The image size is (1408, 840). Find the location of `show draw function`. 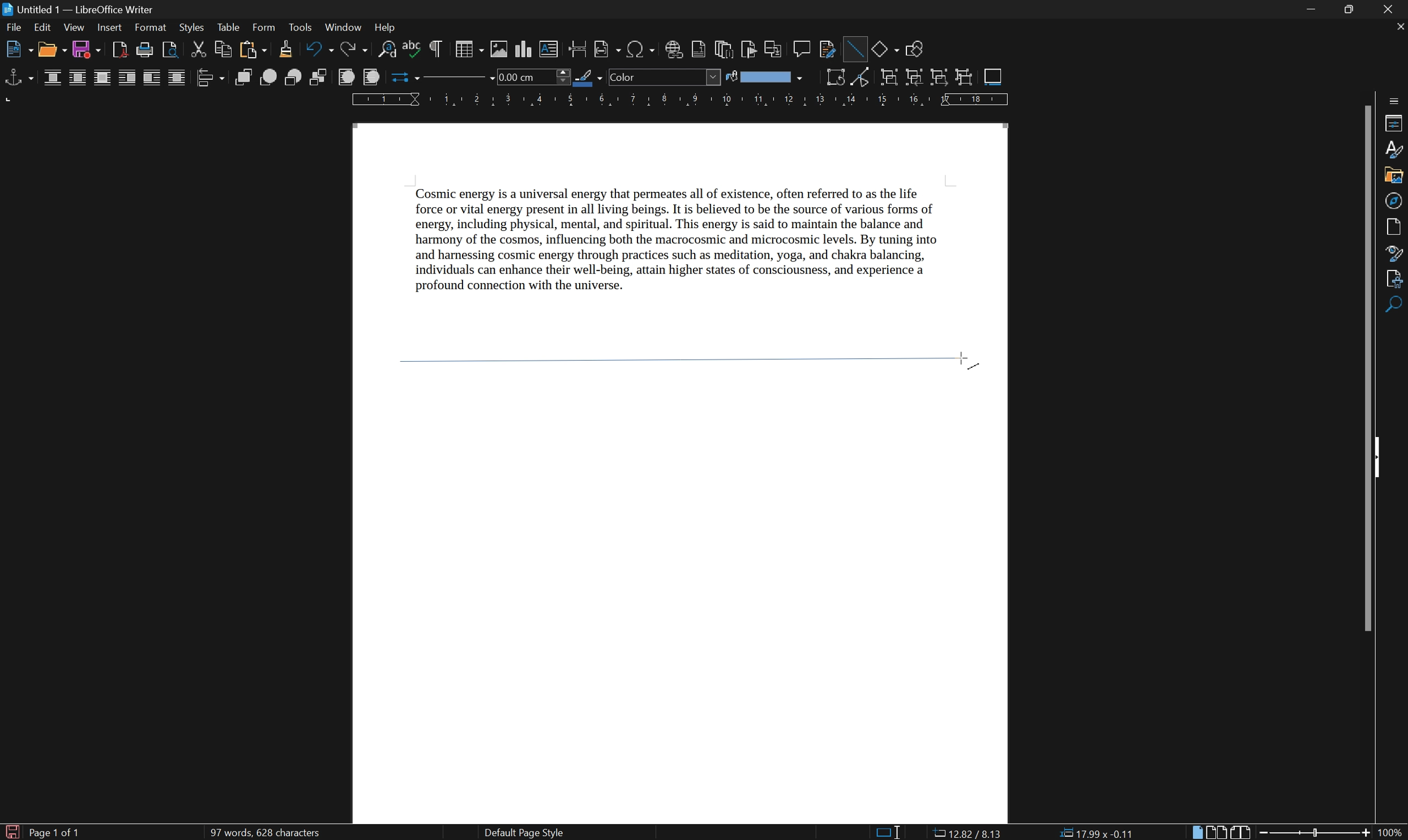

show draw function is located at coordinates (914, 50).